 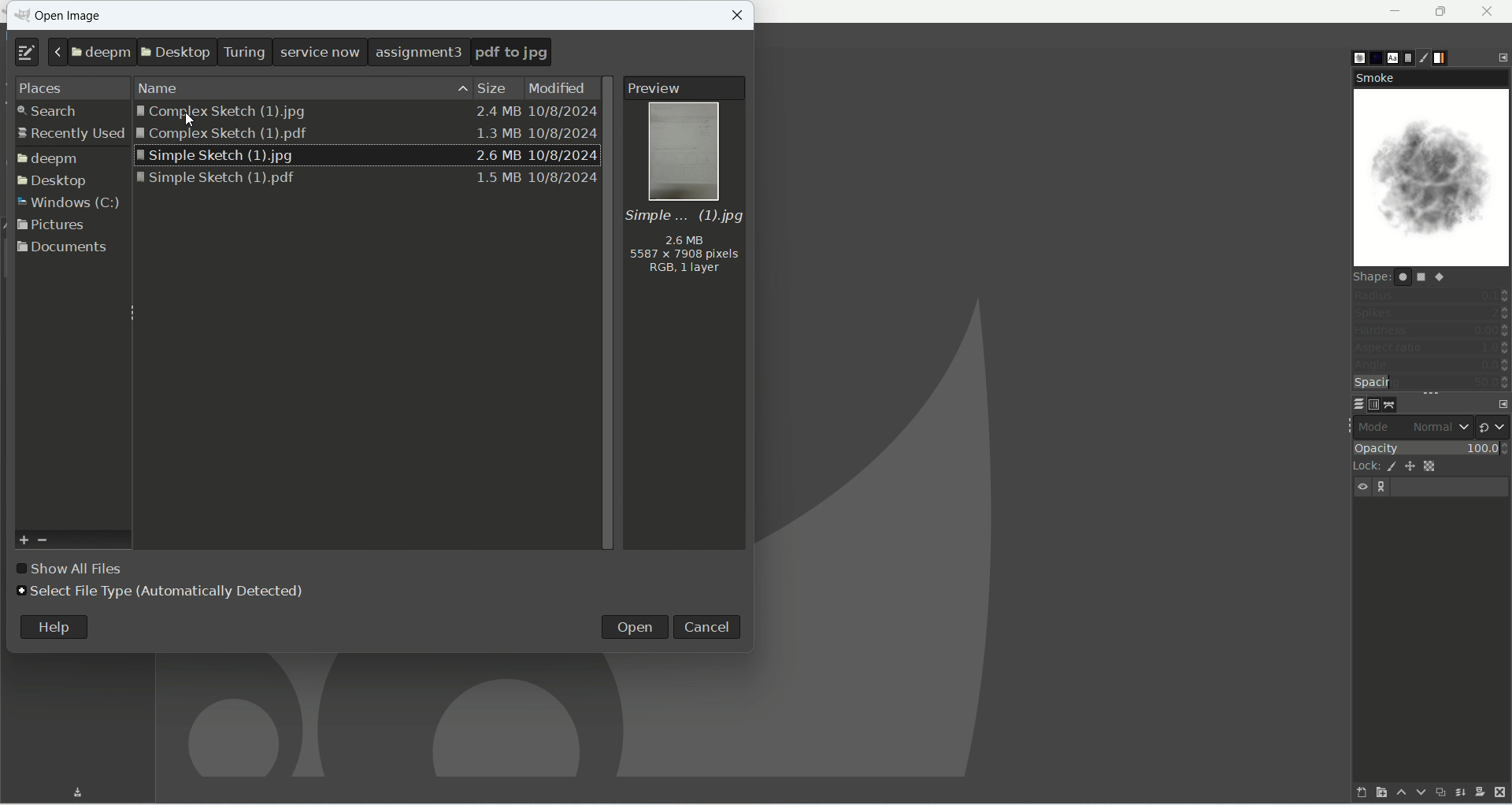 I want to click on smoke, so click(x=1430, y=78).